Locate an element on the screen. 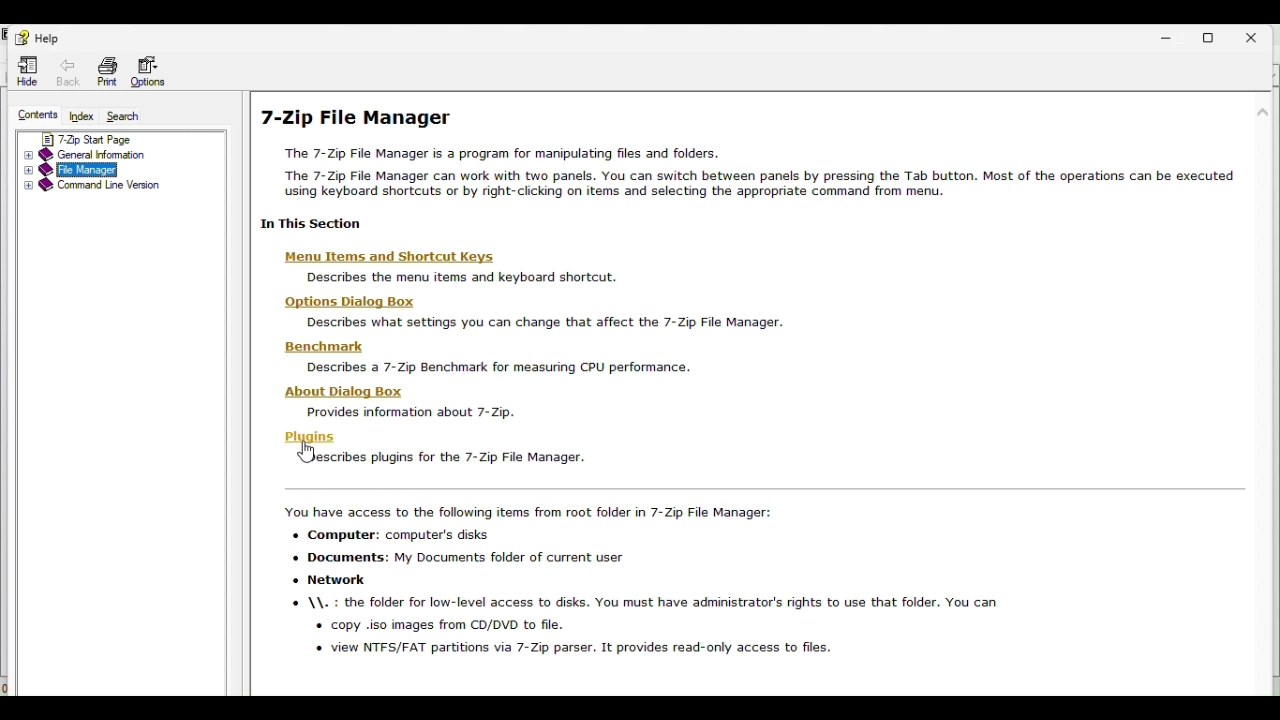 The width and height of the screenshot is (1280, 720). scroll bar is located at coordinates (1266, 376).